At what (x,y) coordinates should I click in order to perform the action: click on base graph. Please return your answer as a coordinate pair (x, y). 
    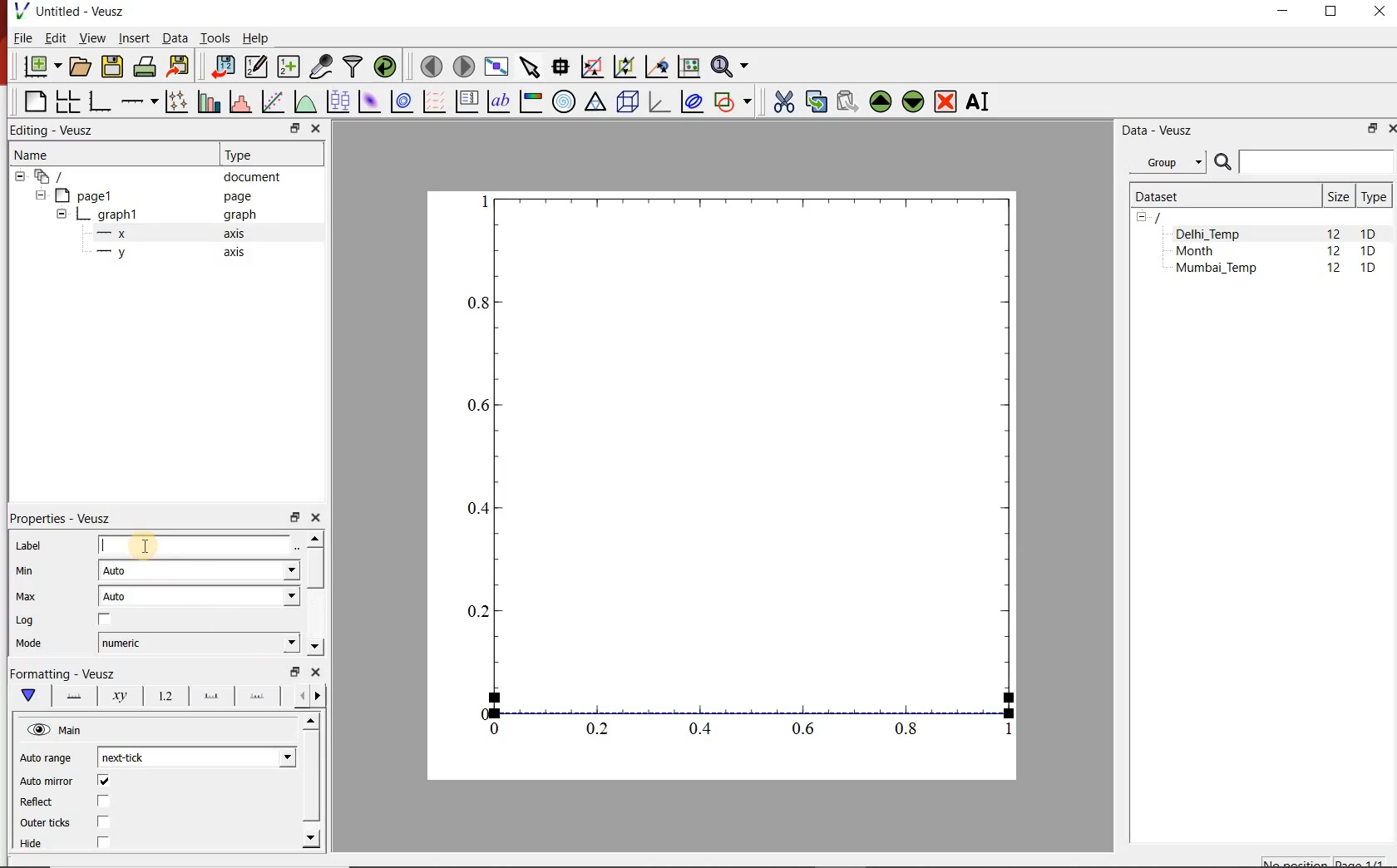
    Looking at the image, I should click on (98, 102).